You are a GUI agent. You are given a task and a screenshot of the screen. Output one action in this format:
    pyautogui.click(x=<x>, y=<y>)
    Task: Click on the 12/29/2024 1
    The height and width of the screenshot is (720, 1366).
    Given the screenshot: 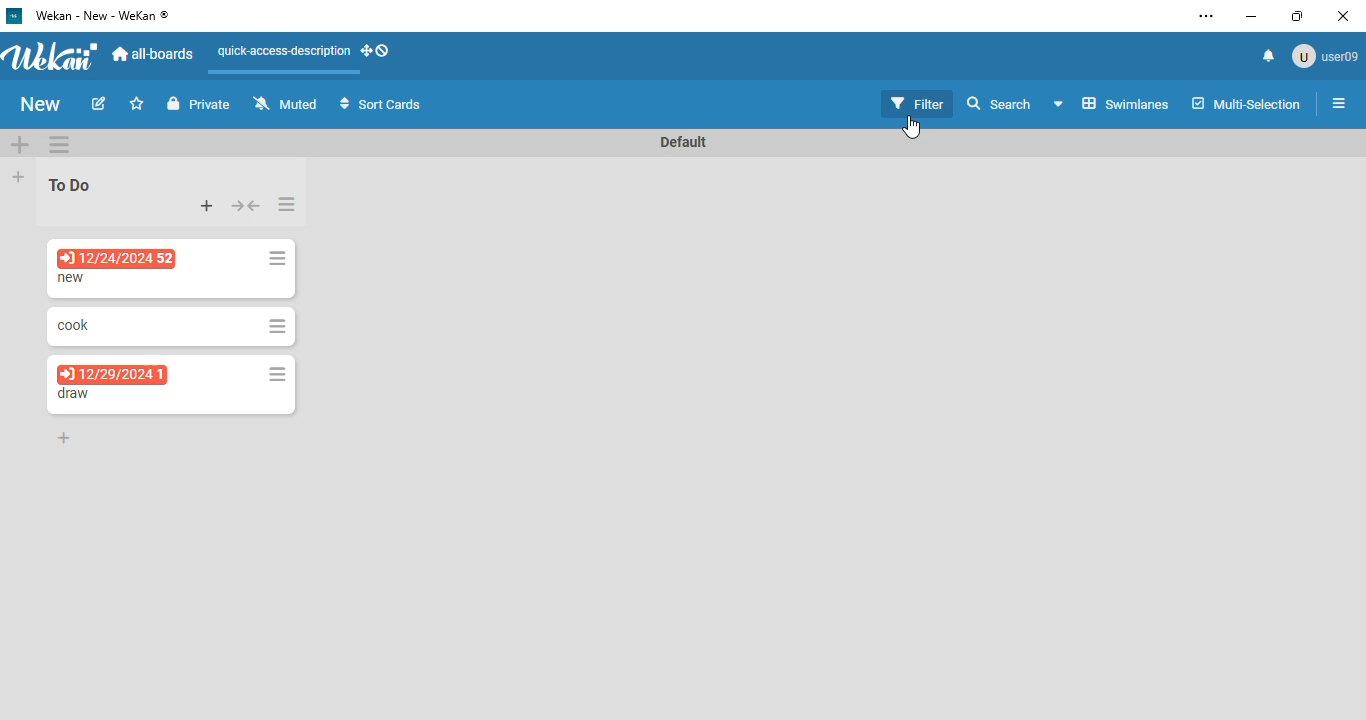 What is the action you would take?
    pyautogui.click(x=111, y=372)
    